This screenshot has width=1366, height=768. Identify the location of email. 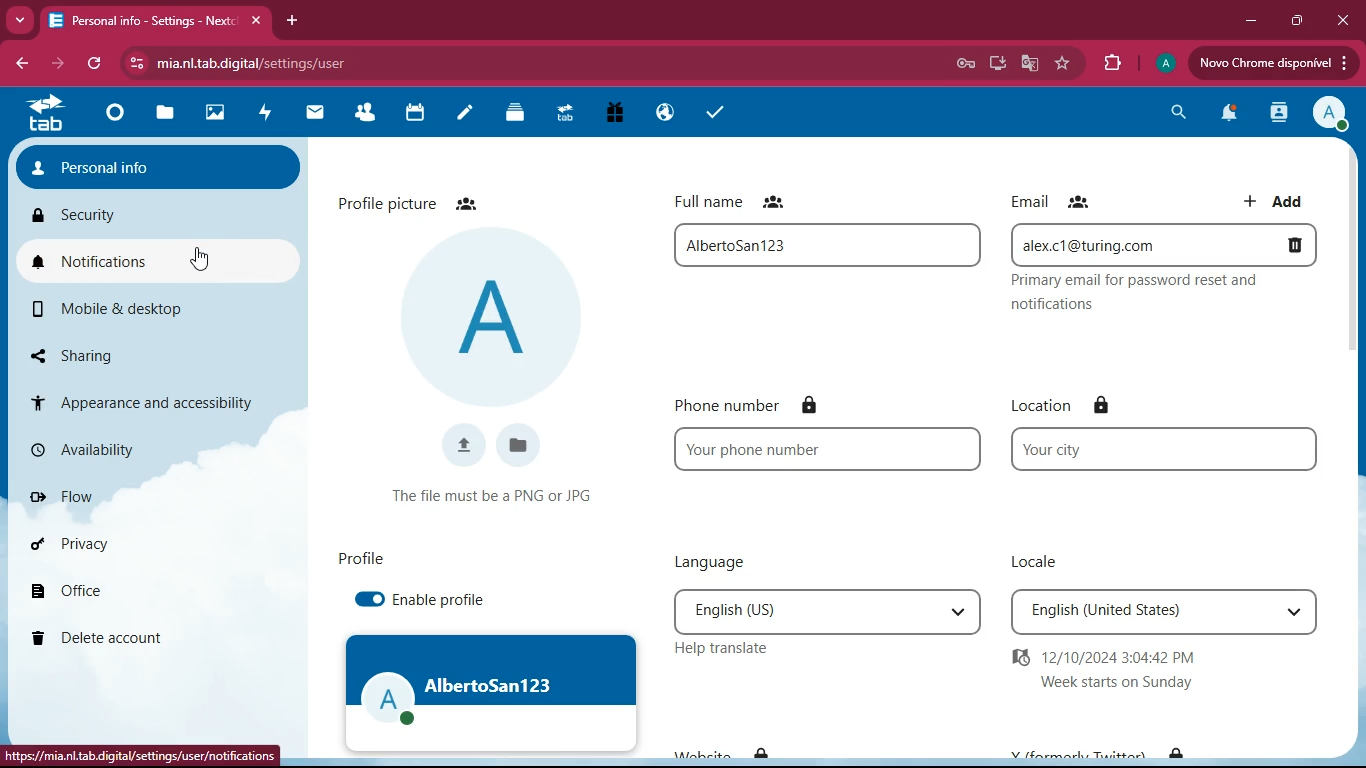
(1070, 199).